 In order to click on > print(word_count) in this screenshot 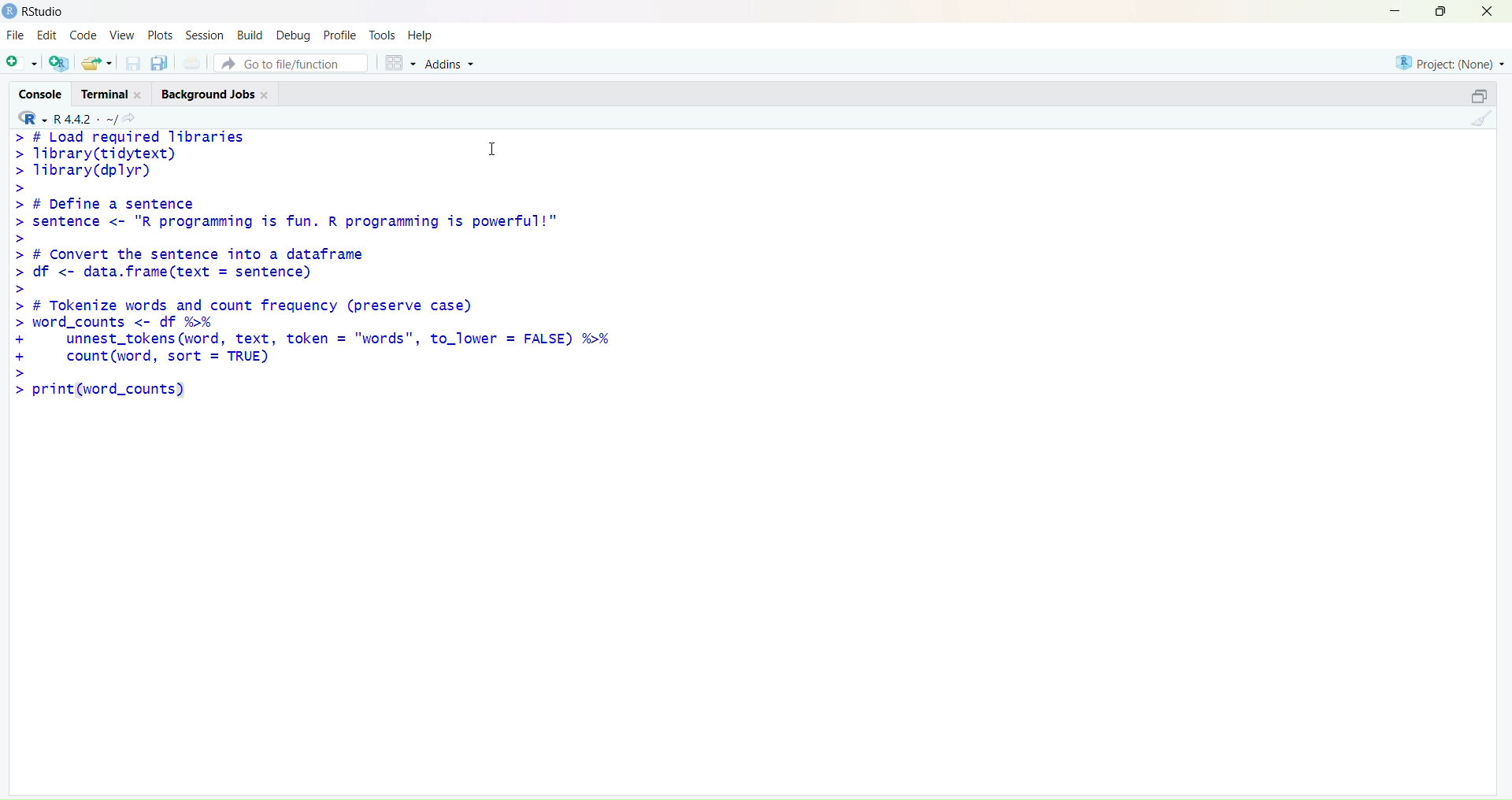, I will do `click(101, 391)`.